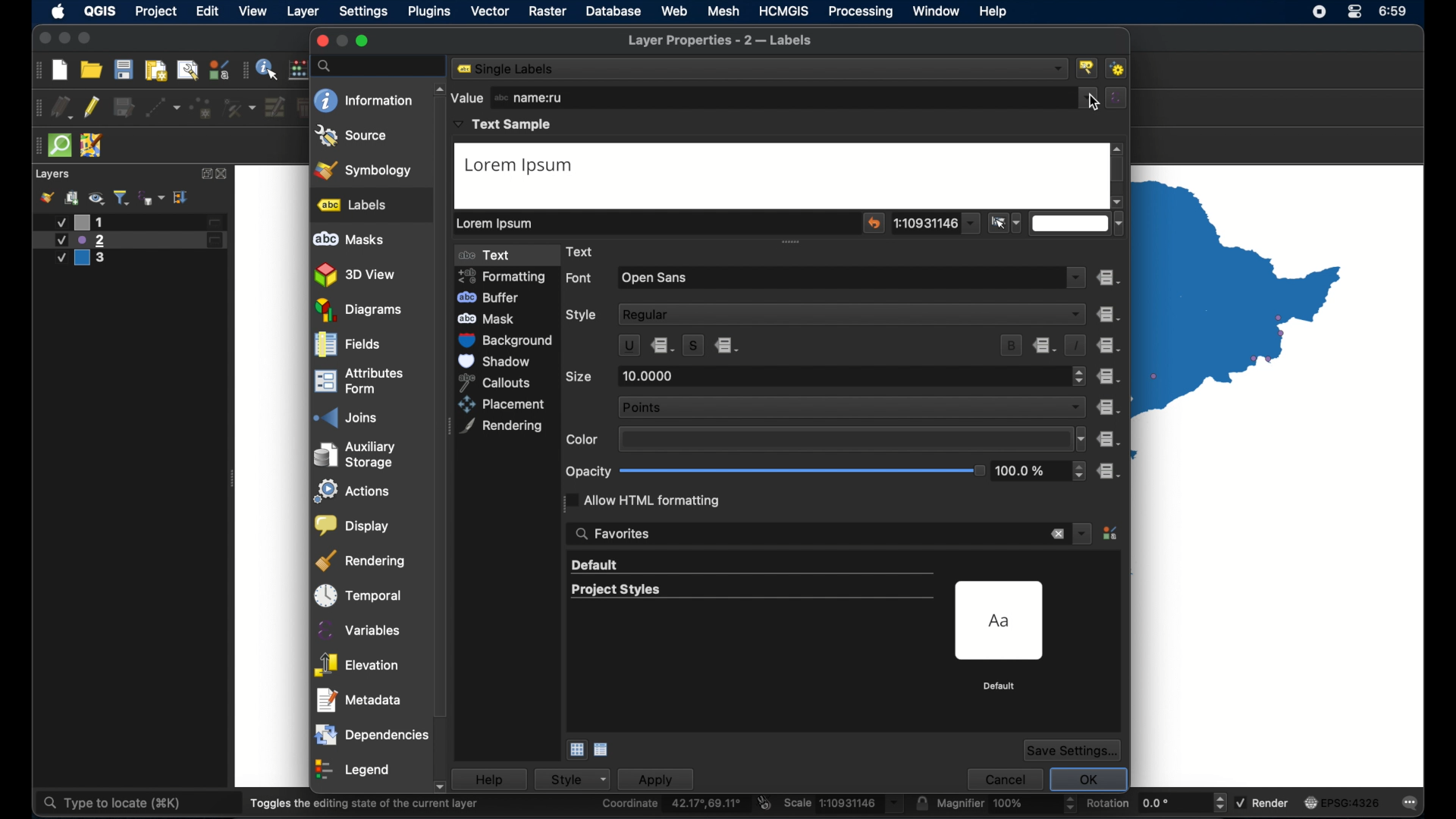 This screenshot has width=1456, height=819. I want to click on actions, so click(354, 488).